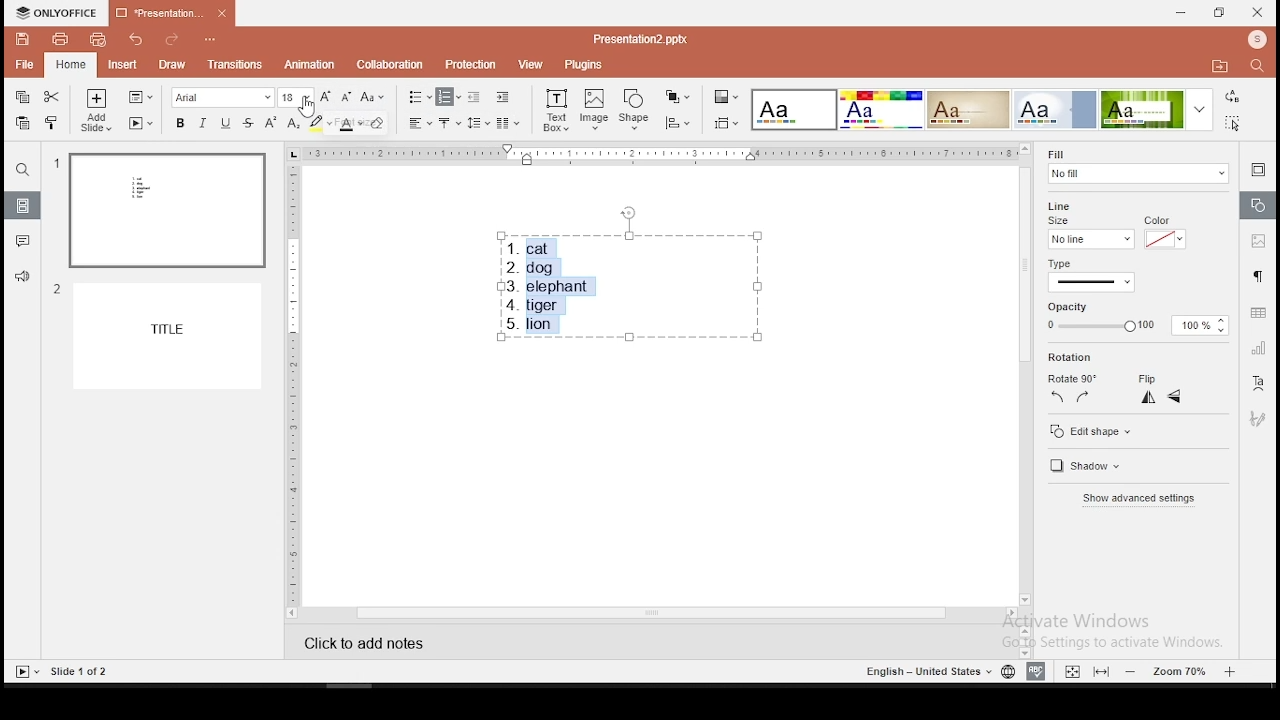  What do you see at coordinates (1098, 431) in the screenshot?
I see `edit shape` at bounding box center [1098, 431].